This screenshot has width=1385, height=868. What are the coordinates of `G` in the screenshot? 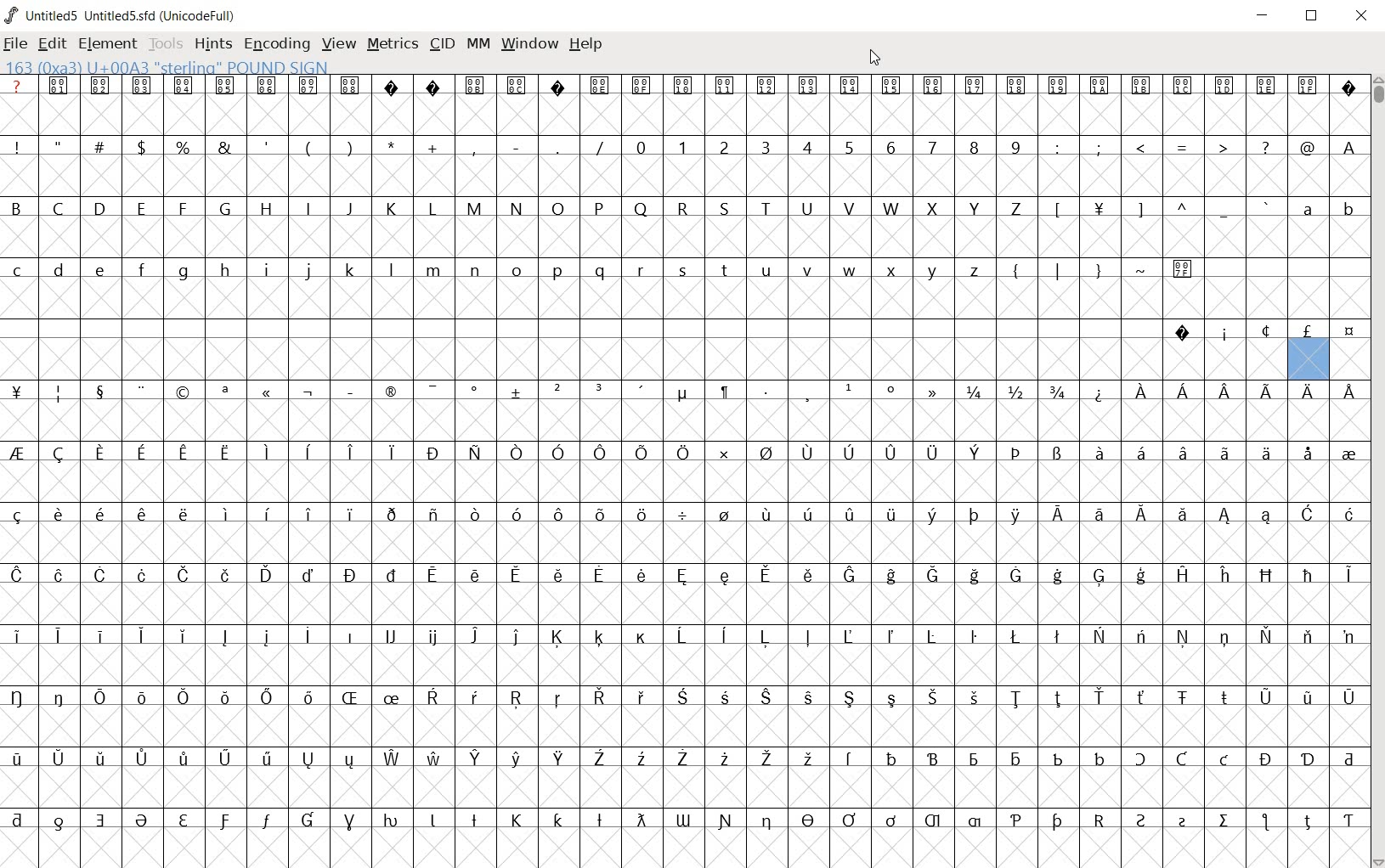 It's located at (223, 208).